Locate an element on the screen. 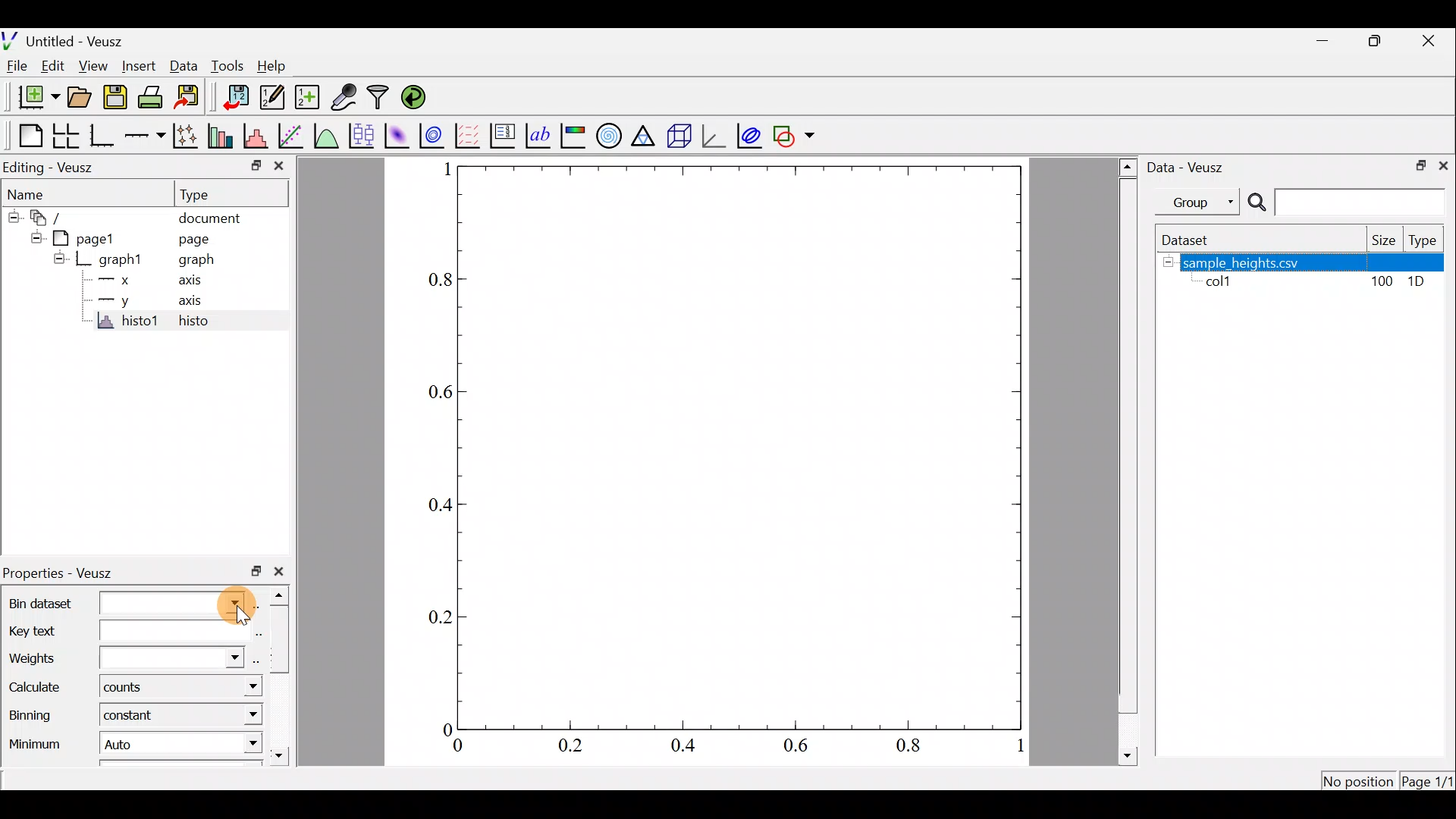 The width and height of the screenshot is (1456, 819). axis, is located at coordinates (190, 301).